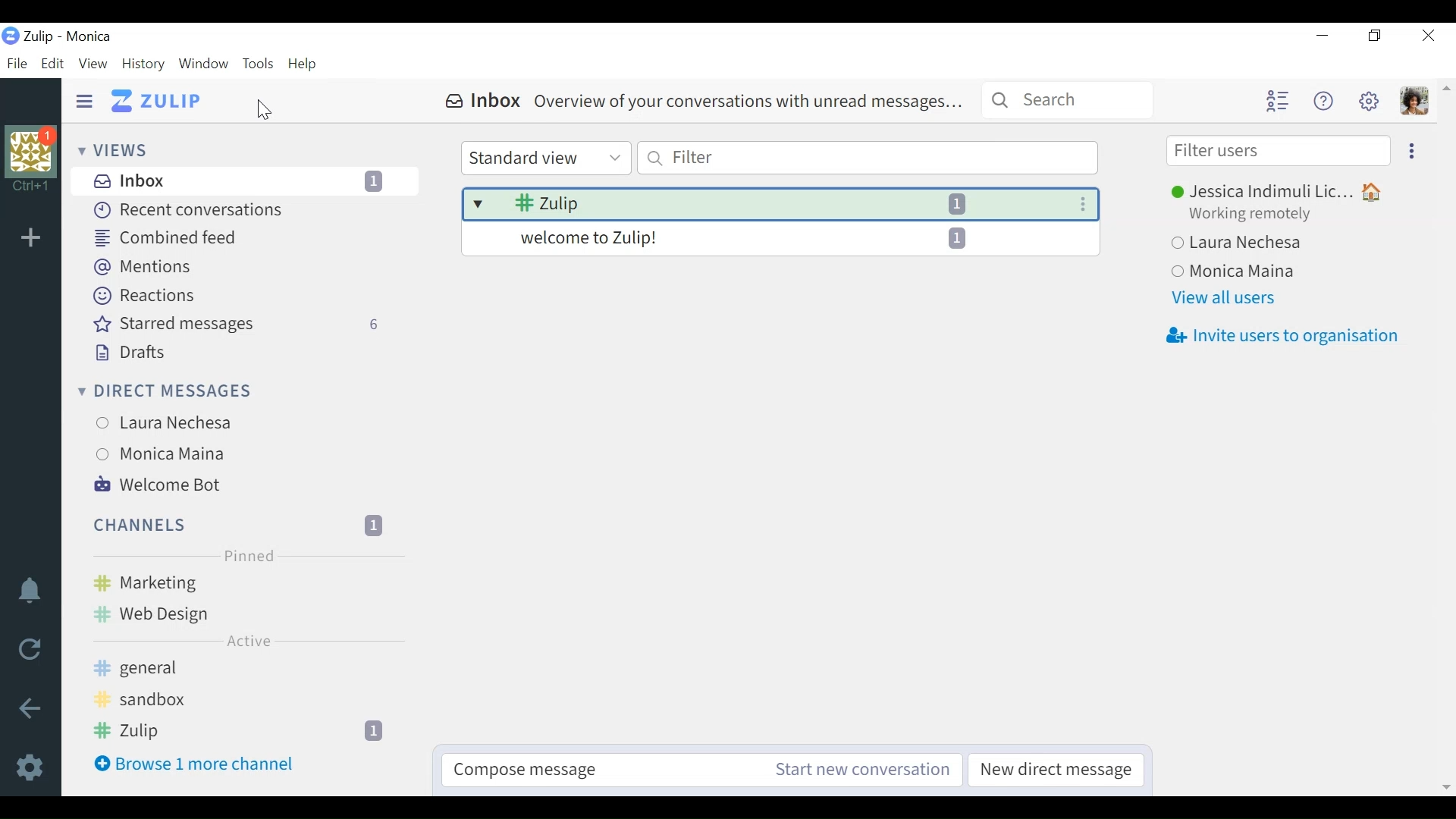 The height and width of the screenshot is (819, 1456). Describe the element at coordinates (707, 101) in the screenshot. I see `Inbox` at that location.